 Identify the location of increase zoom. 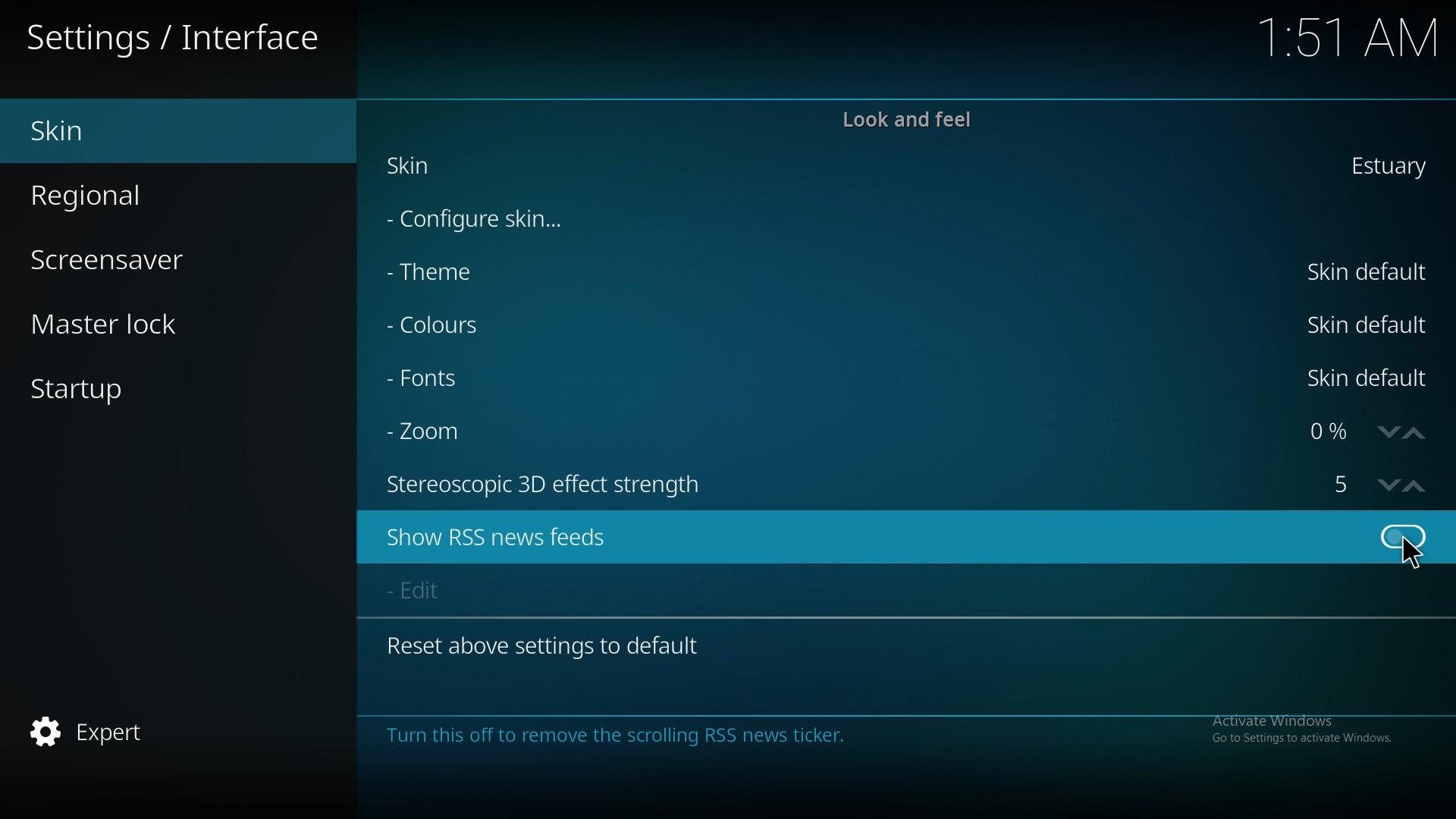
(1416, 433).